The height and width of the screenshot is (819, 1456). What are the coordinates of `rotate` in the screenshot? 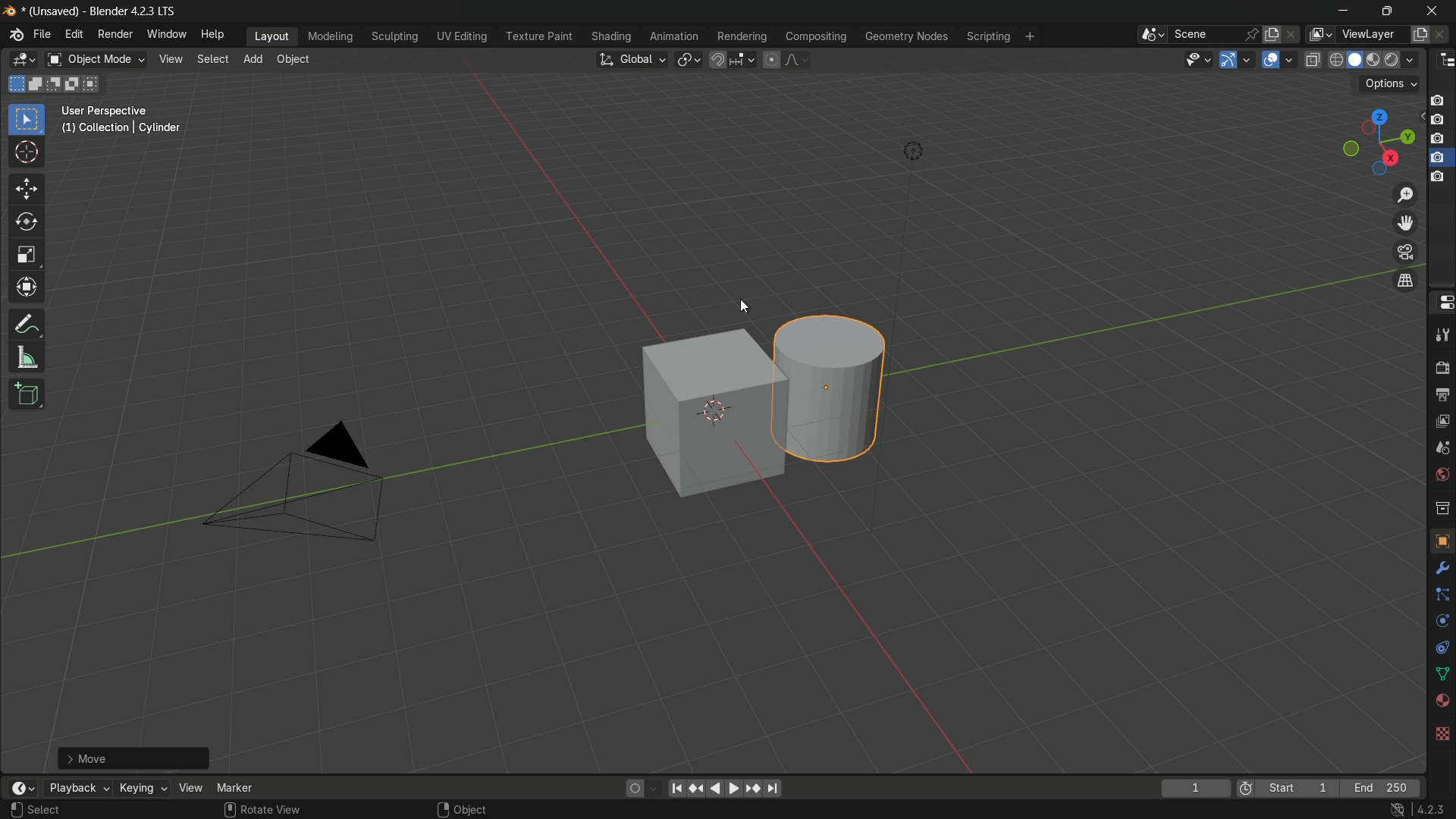 It's located at (26, 223).